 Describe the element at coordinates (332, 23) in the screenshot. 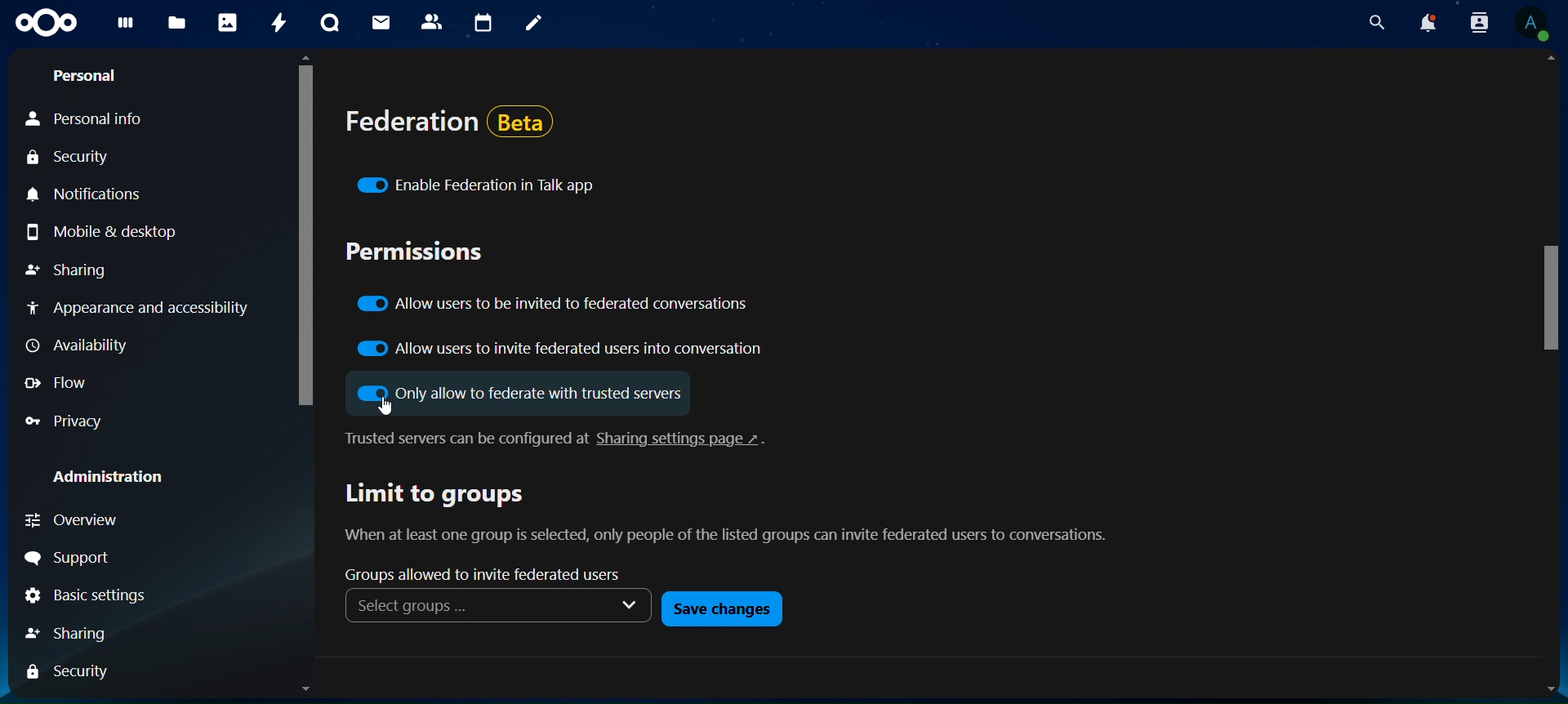

I see `talk` at that location.